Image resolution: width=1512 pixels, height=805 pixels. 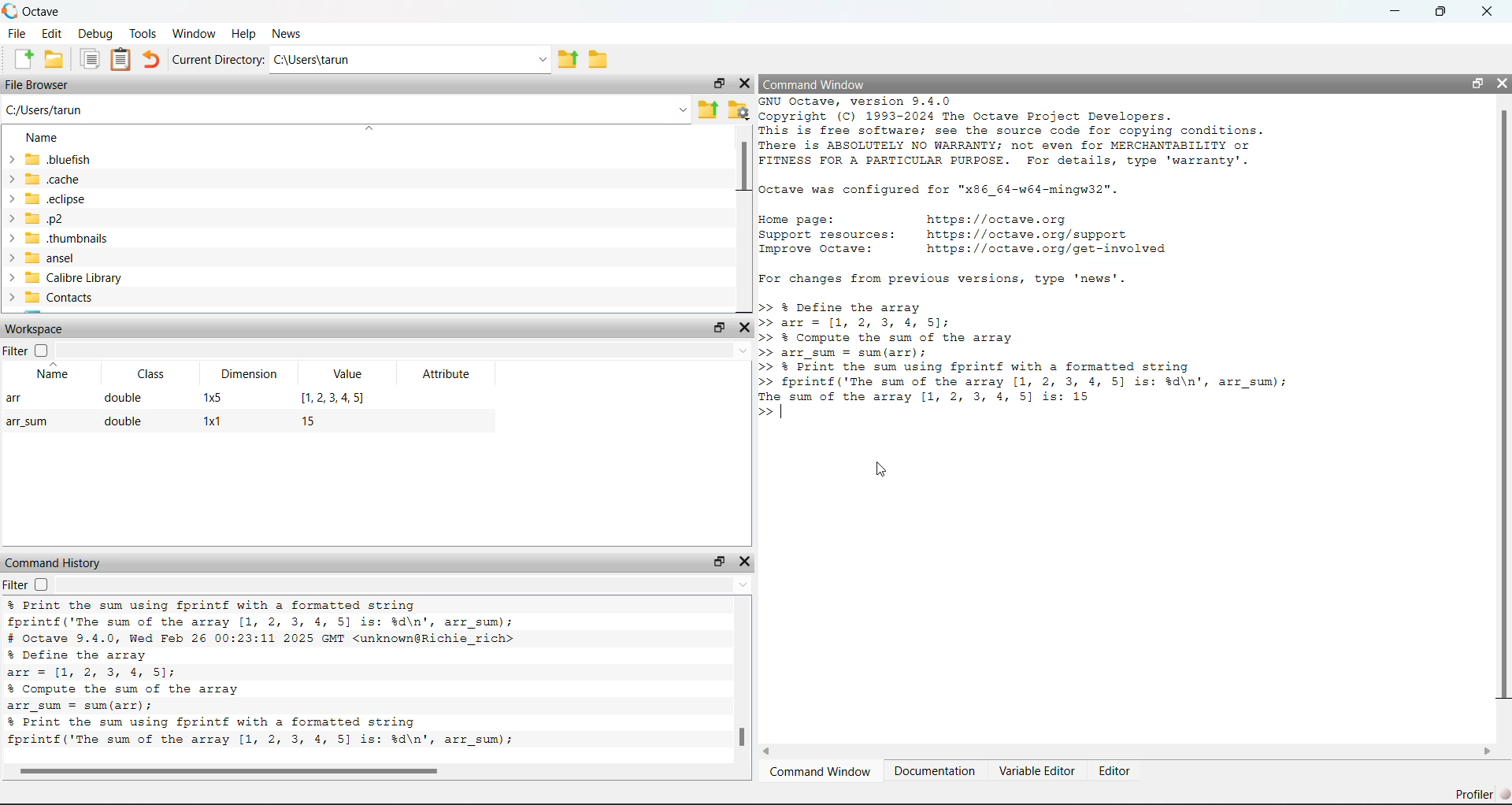 I want to click on Copy, so click(x=91, y=59).